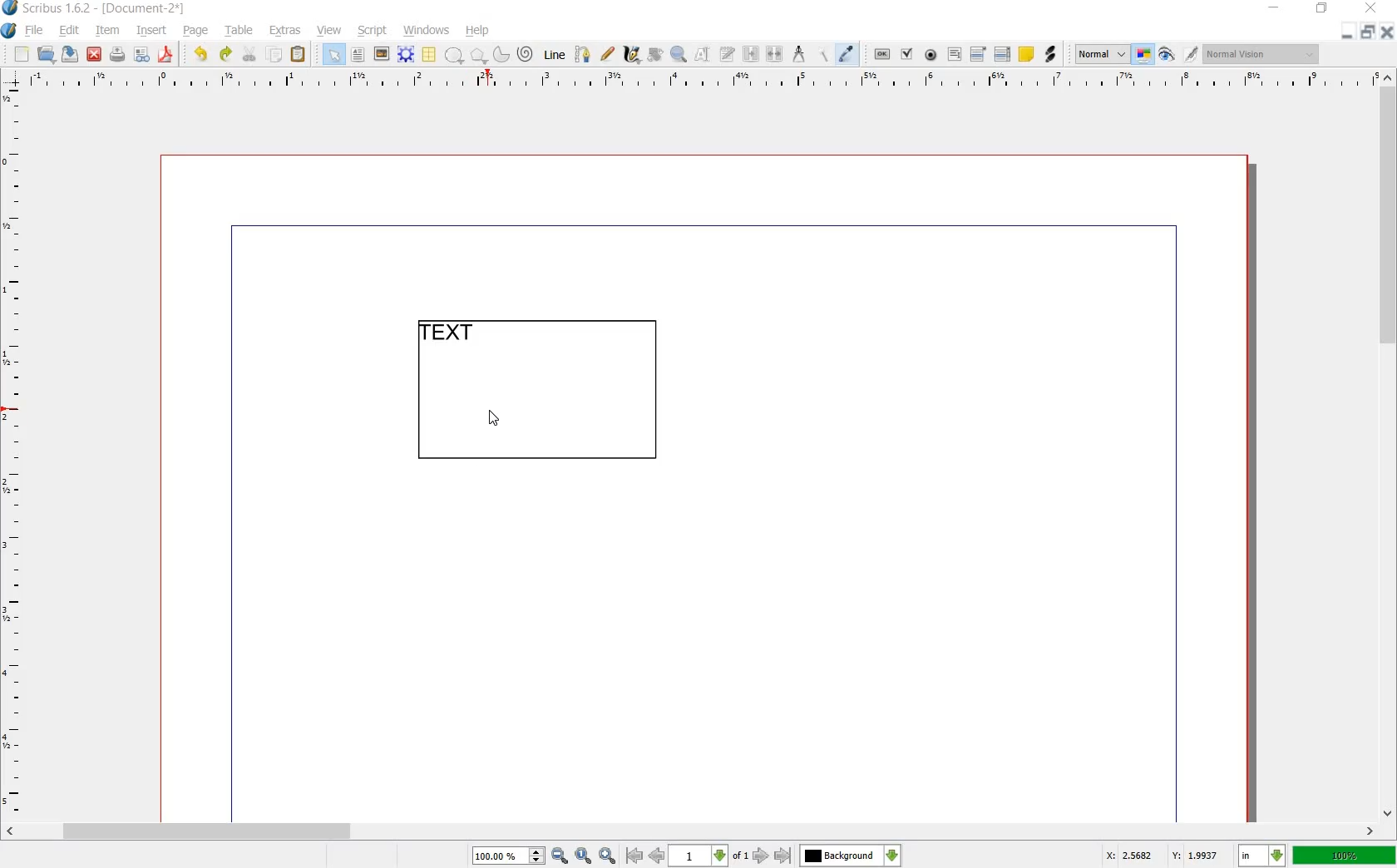  What do you see at coordinates (824, 53) in the screenshot?
I see `copy item properties` at bounding box center [824, 53].